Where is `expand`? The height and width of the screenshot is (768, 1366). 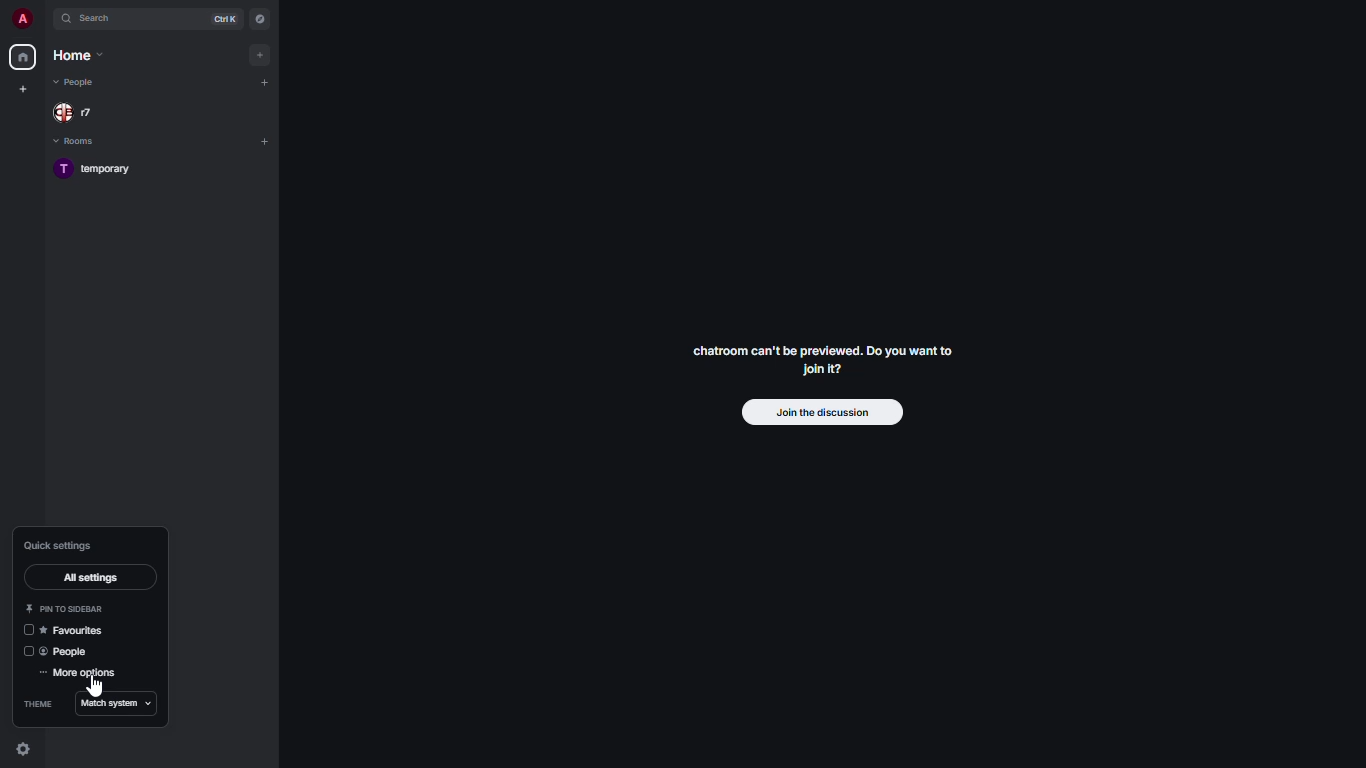
expand is located at coordinates (45, 18).